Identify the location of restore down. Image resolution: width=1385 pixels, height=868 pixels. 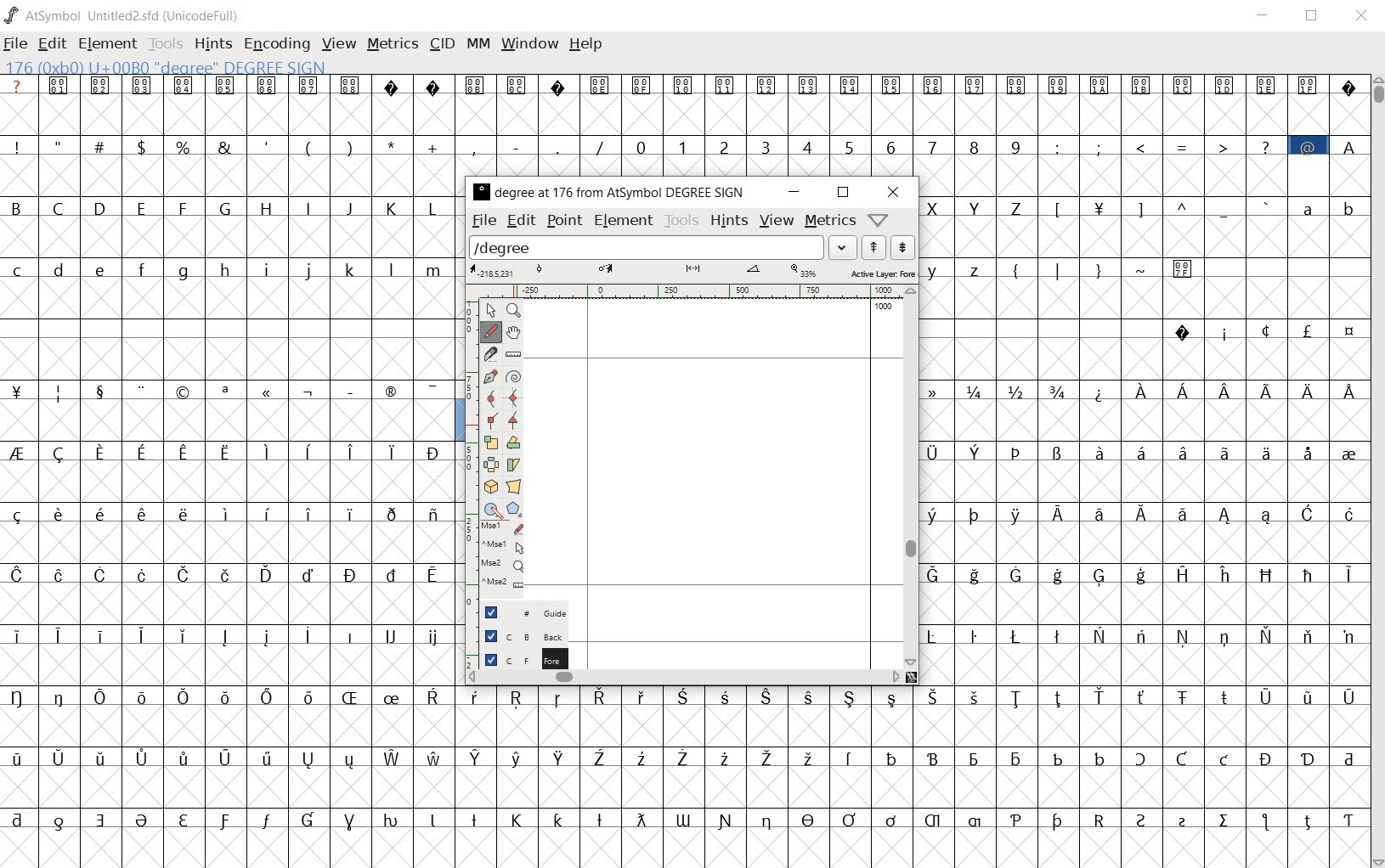
(843, 194).